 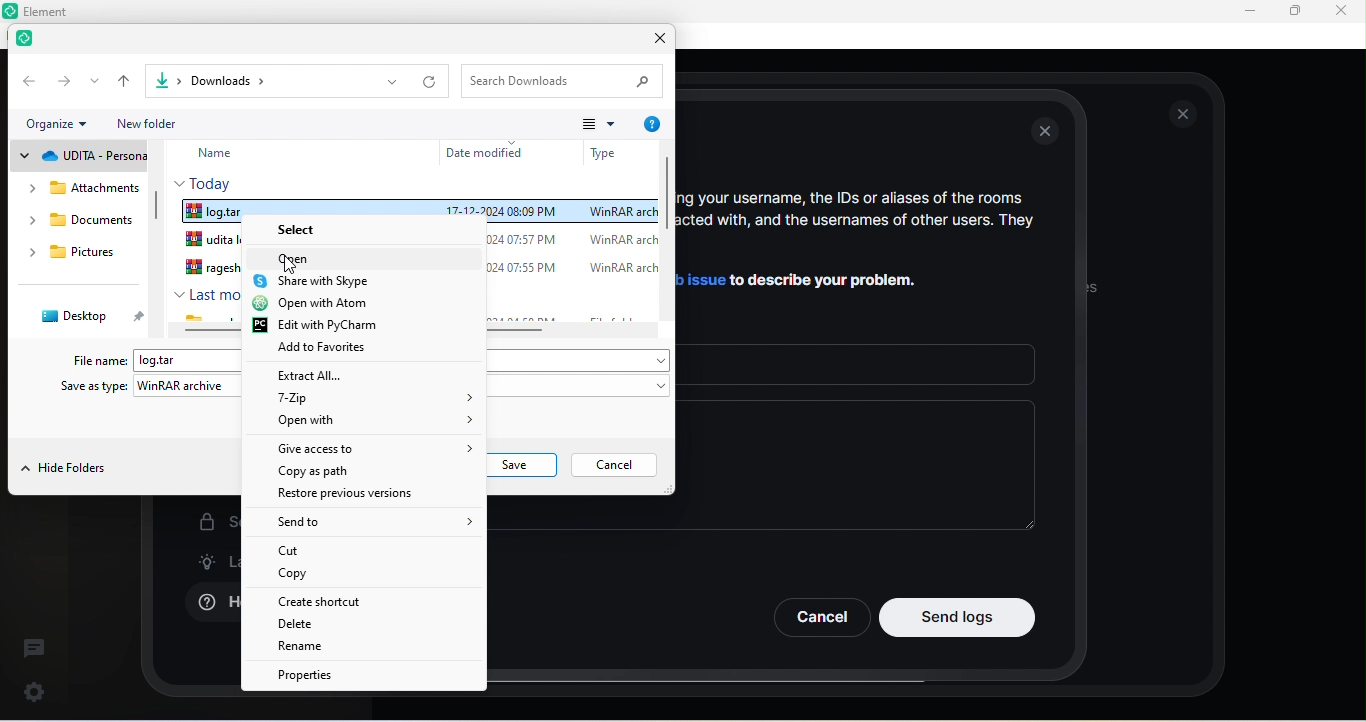 What do you see at coordinates (54, 11) in the screenshot?
I see `Element` at bounding box center [54, 11].